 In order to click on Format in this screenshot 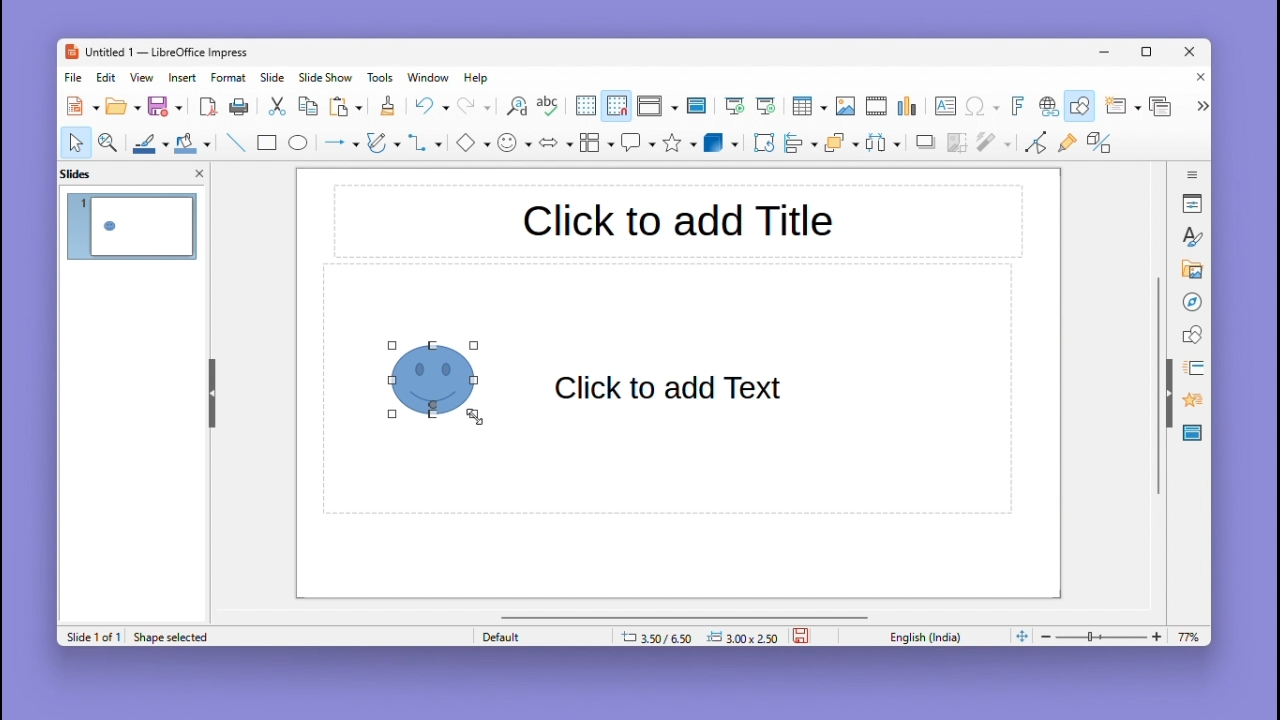, I will do `click(229, 77)`.